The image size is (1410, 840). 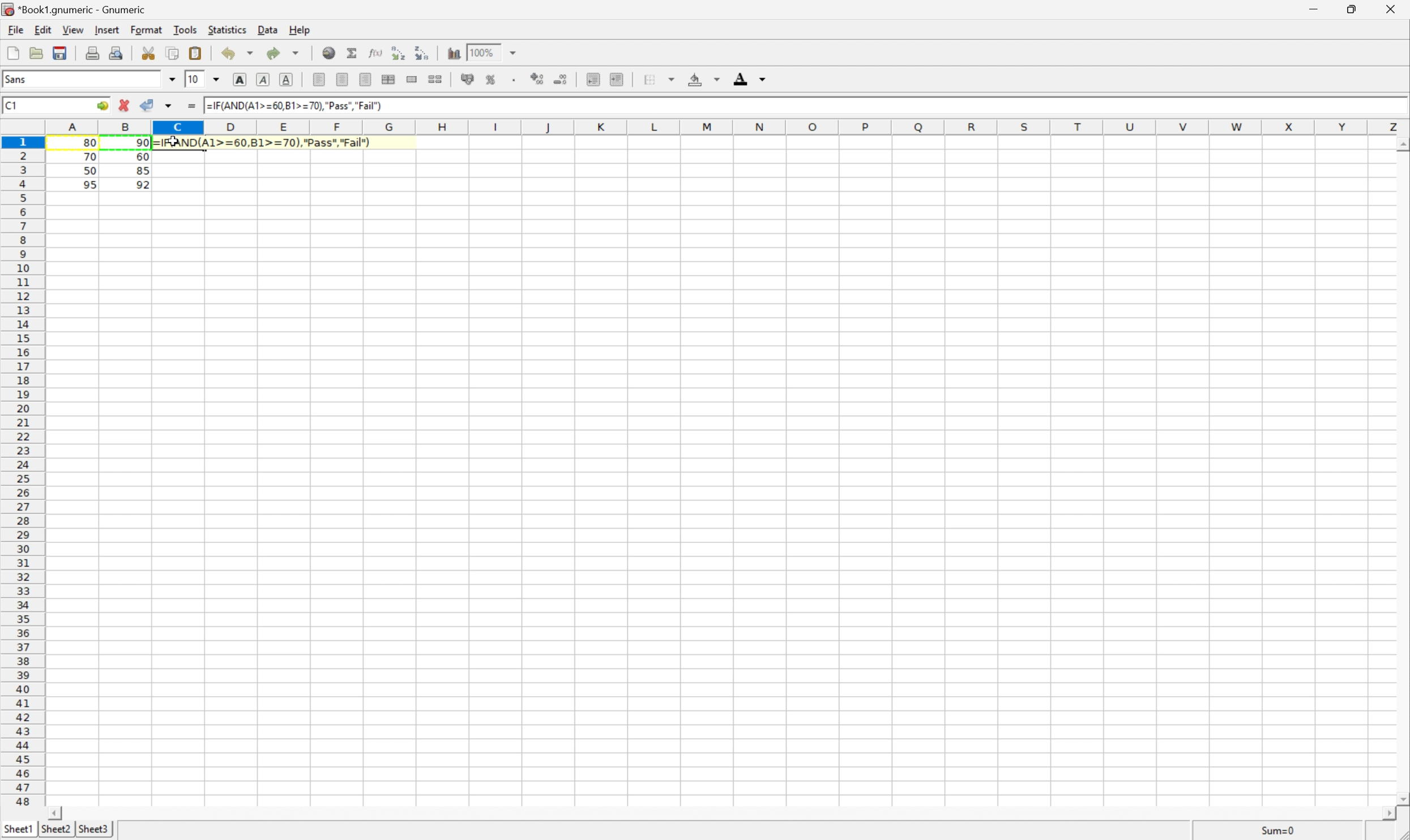 I want to click on Cancel changes, so click(x=125, y=106).